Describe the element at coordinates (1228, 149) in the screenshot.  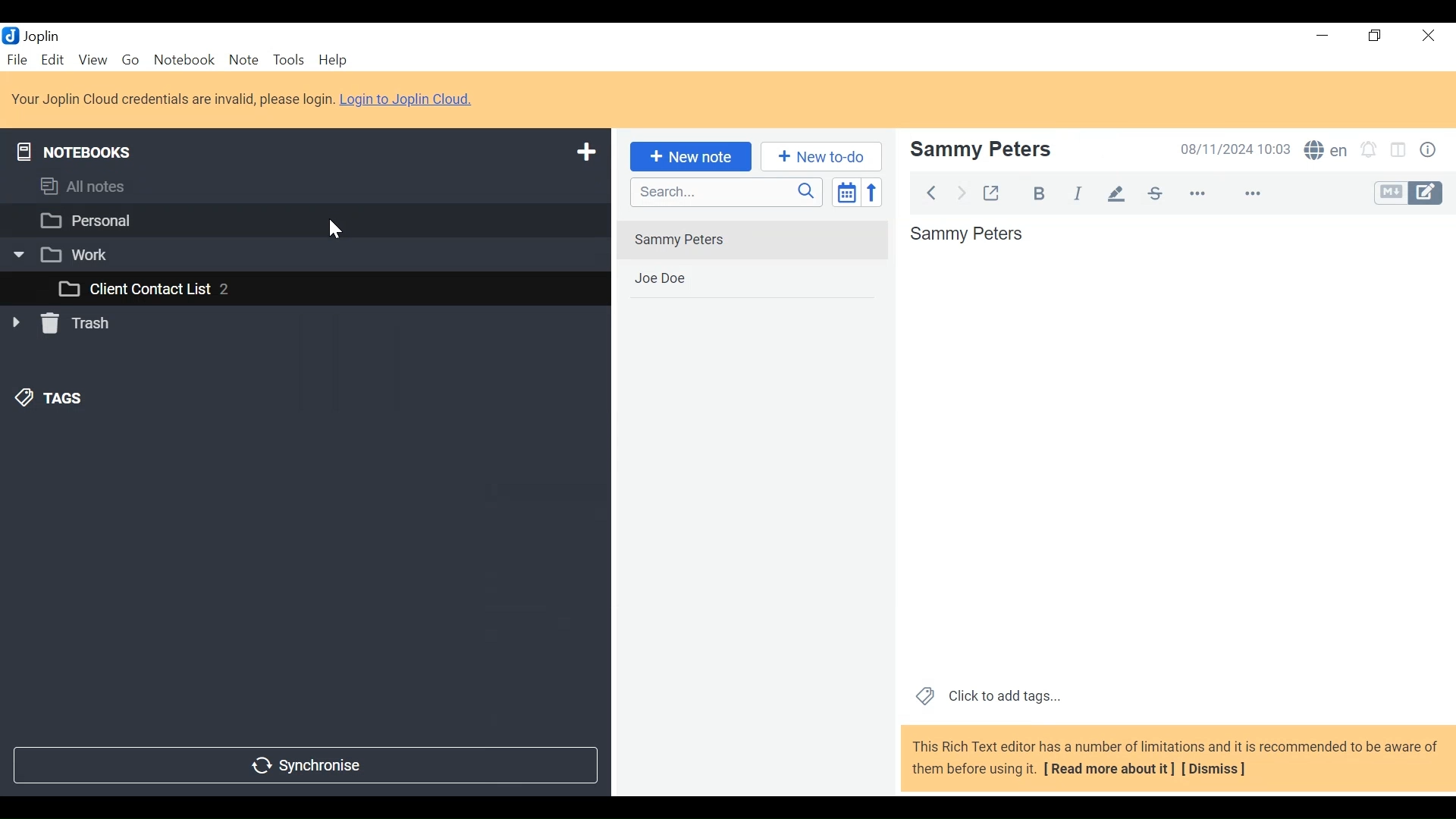
I see `08/11/2024 10:03` at that location.